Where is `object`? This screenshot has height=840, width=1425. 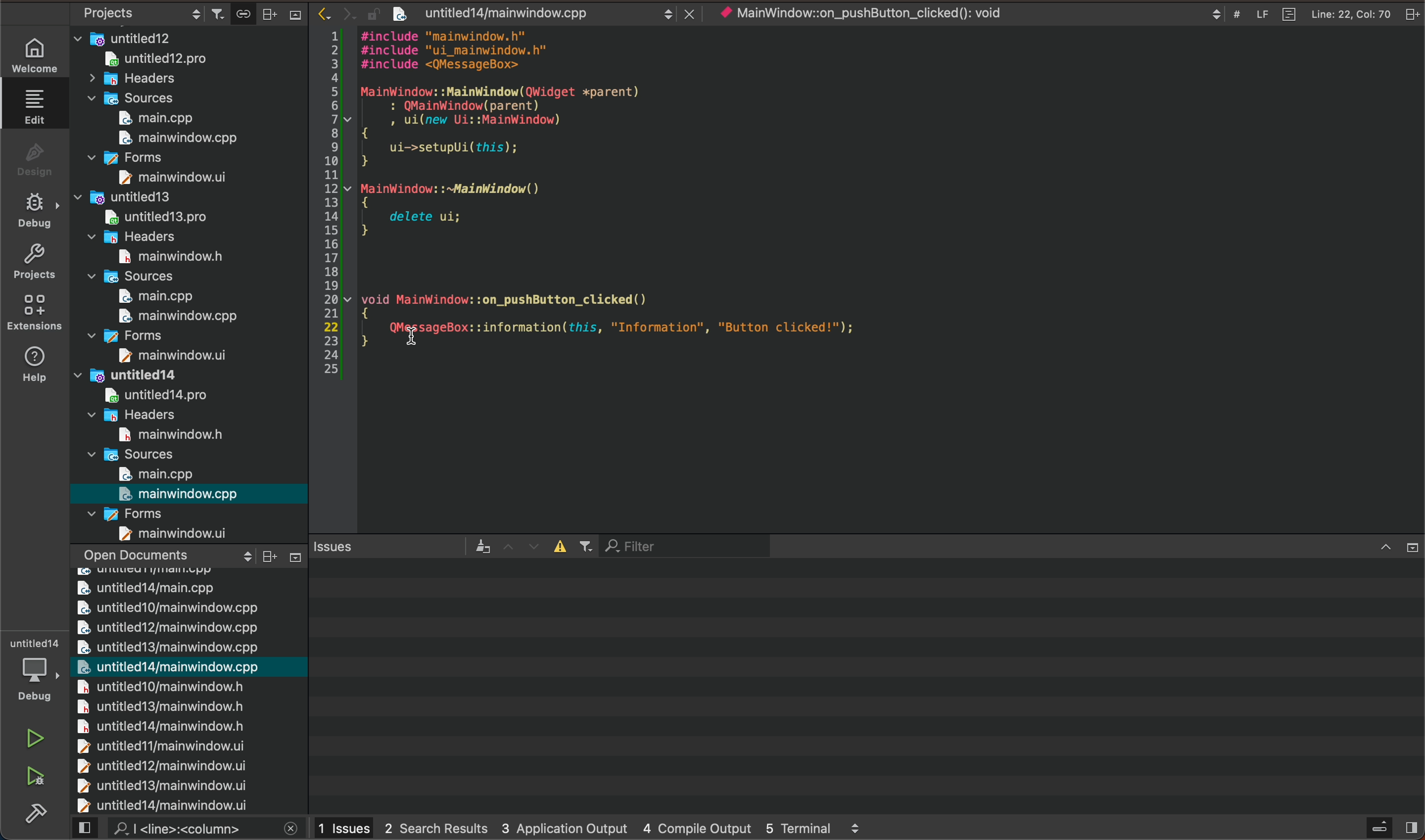
object is located at coordinates (879, 13).